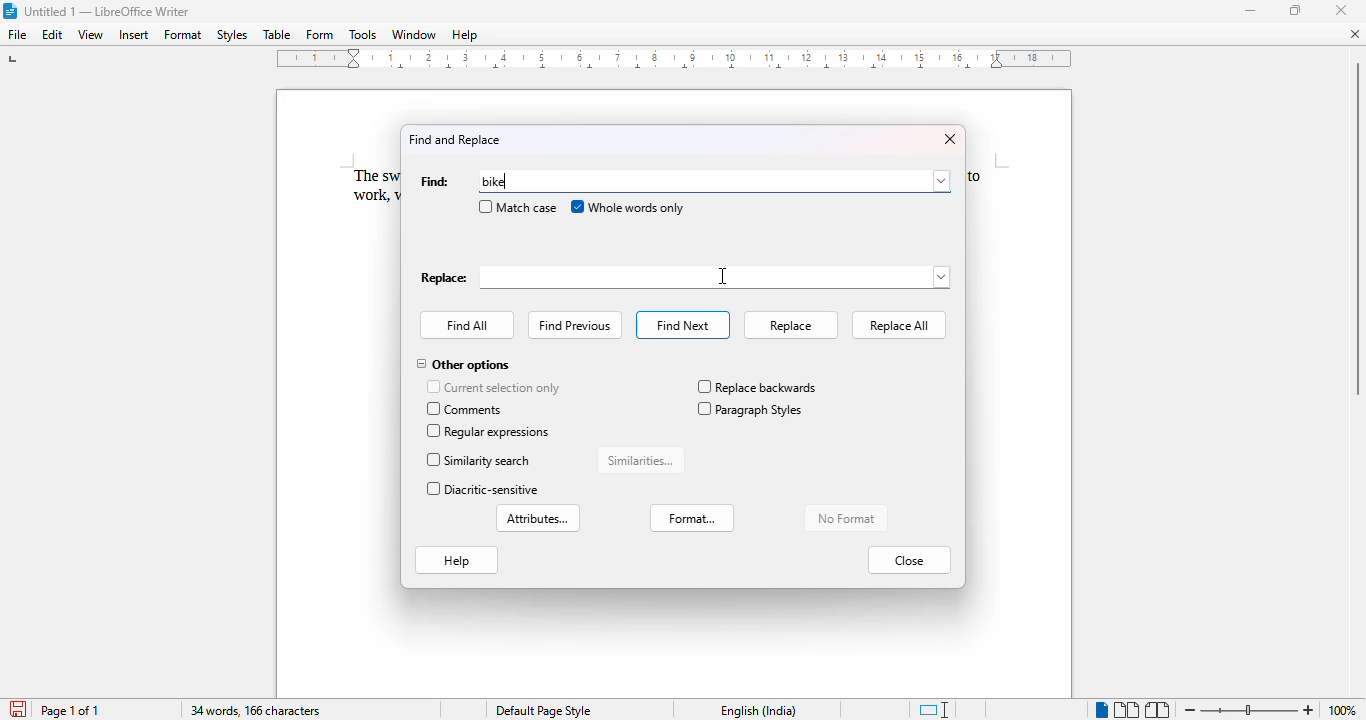 This screenshot has height=720, width=1366. I want to click on format, so click(692, 517).